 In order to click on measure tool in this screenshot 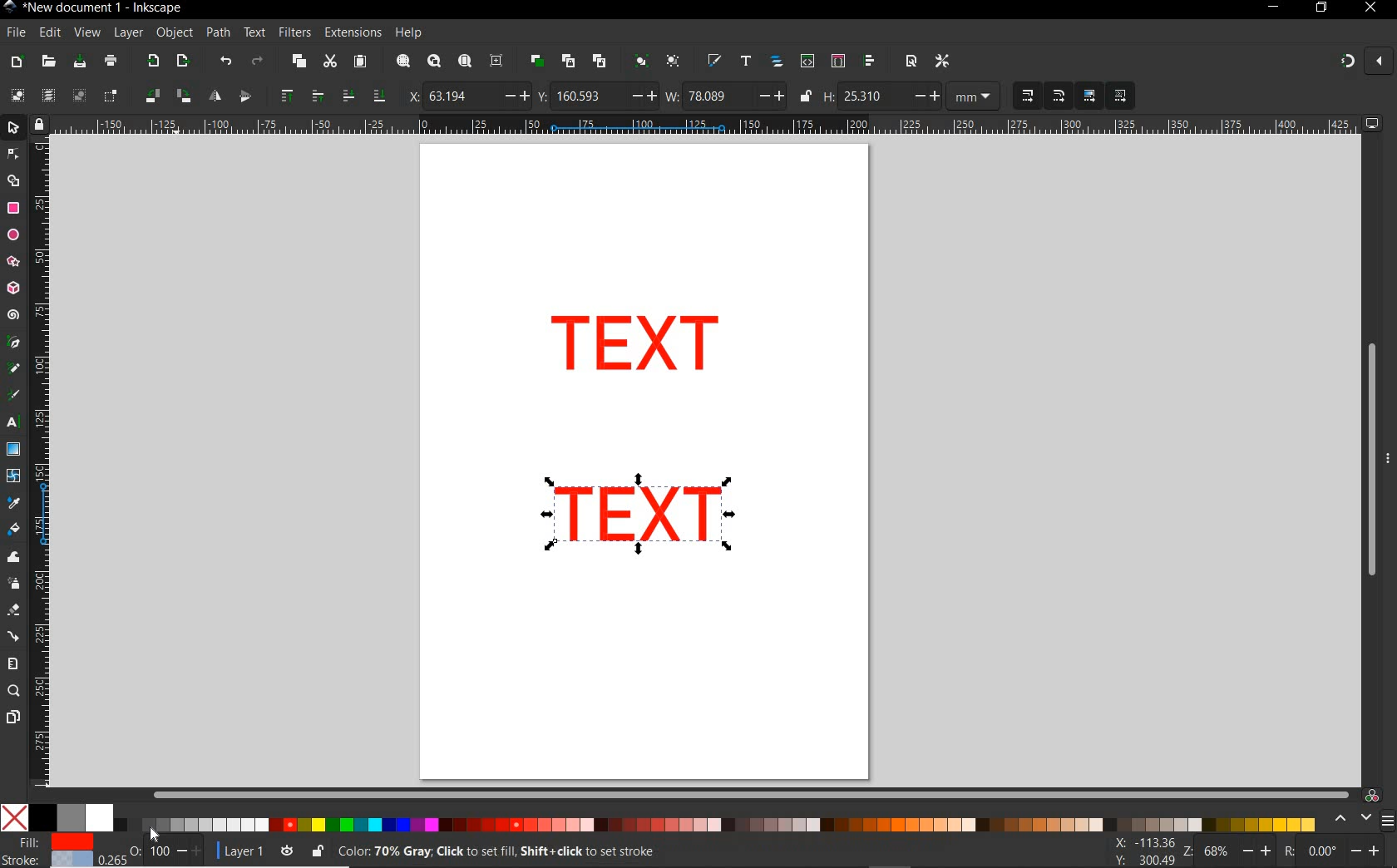, I will do `click(13, 663)`.